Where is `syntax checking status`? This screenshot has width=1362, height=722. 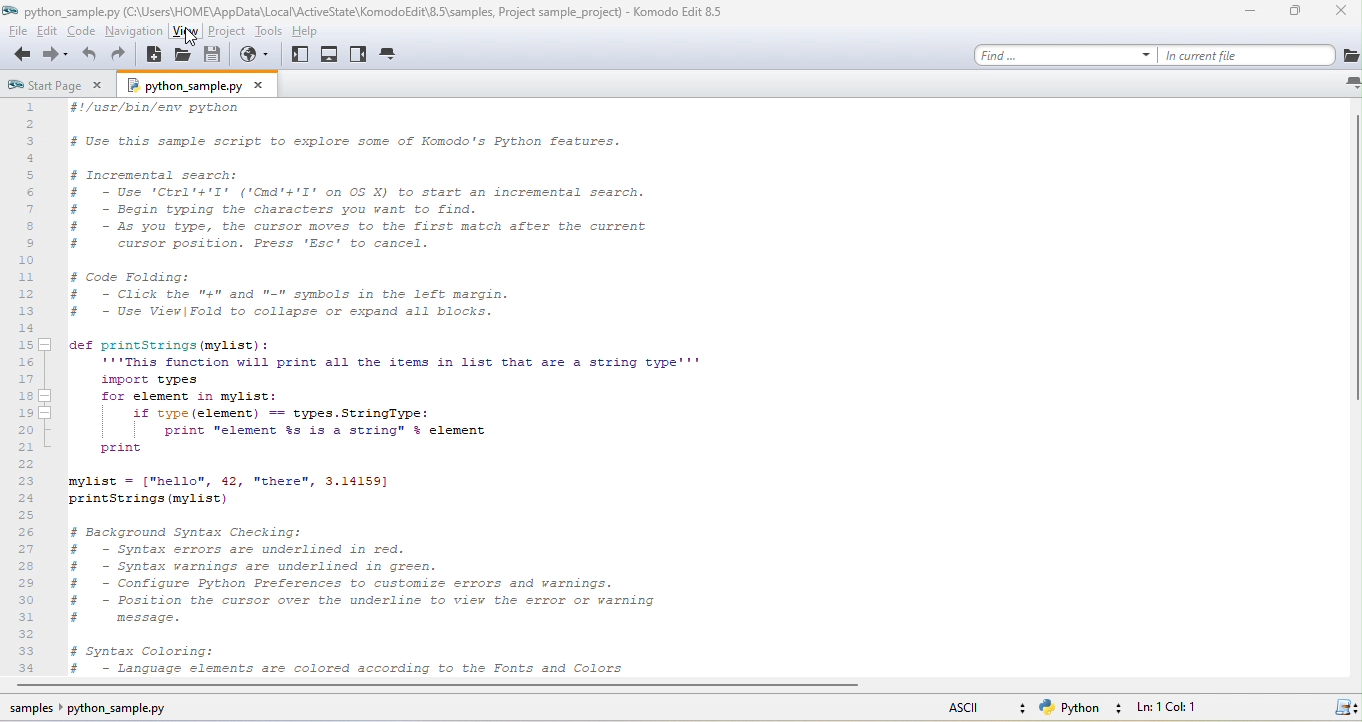
syntax checking status is located at coordinates (1342, 708).